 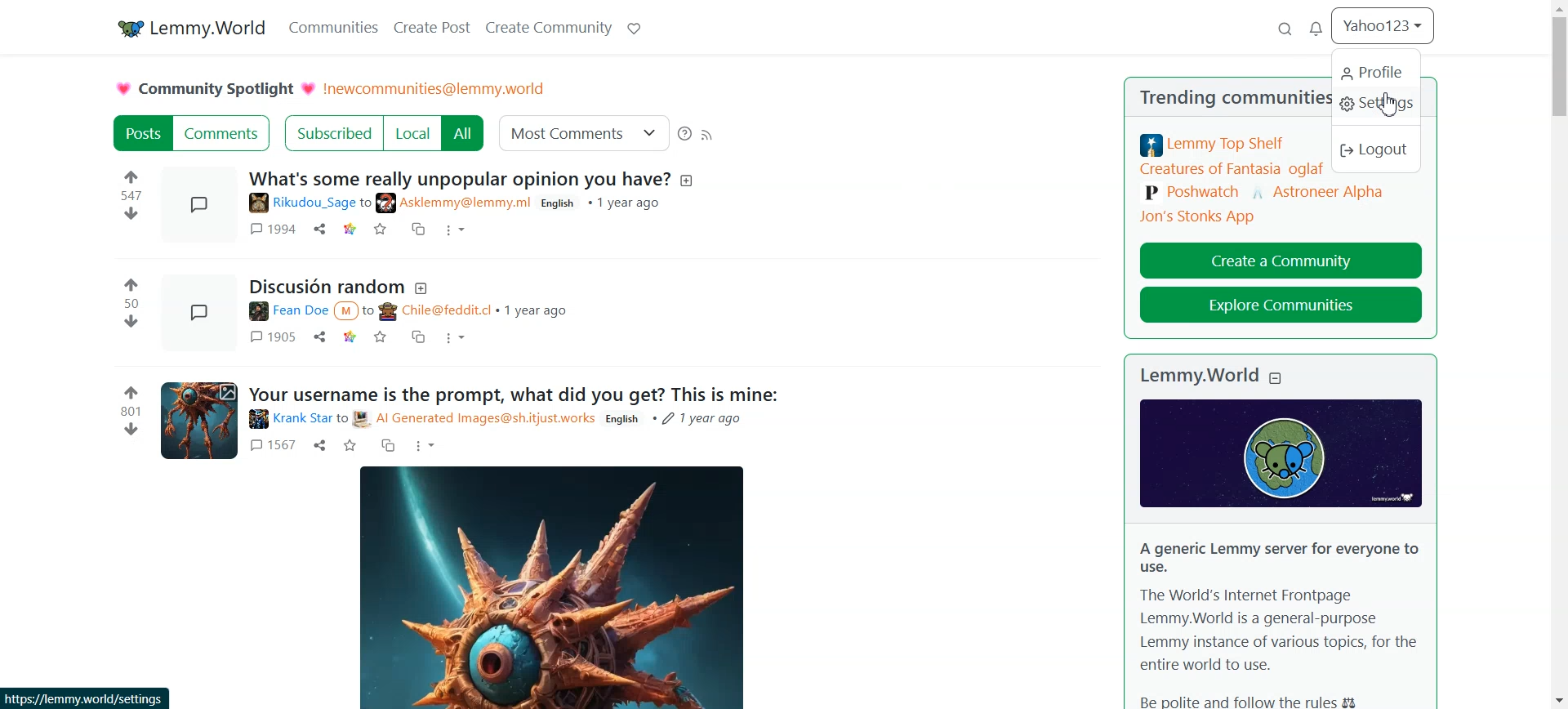 I want to click on upvote, so click(x=132, y=283).